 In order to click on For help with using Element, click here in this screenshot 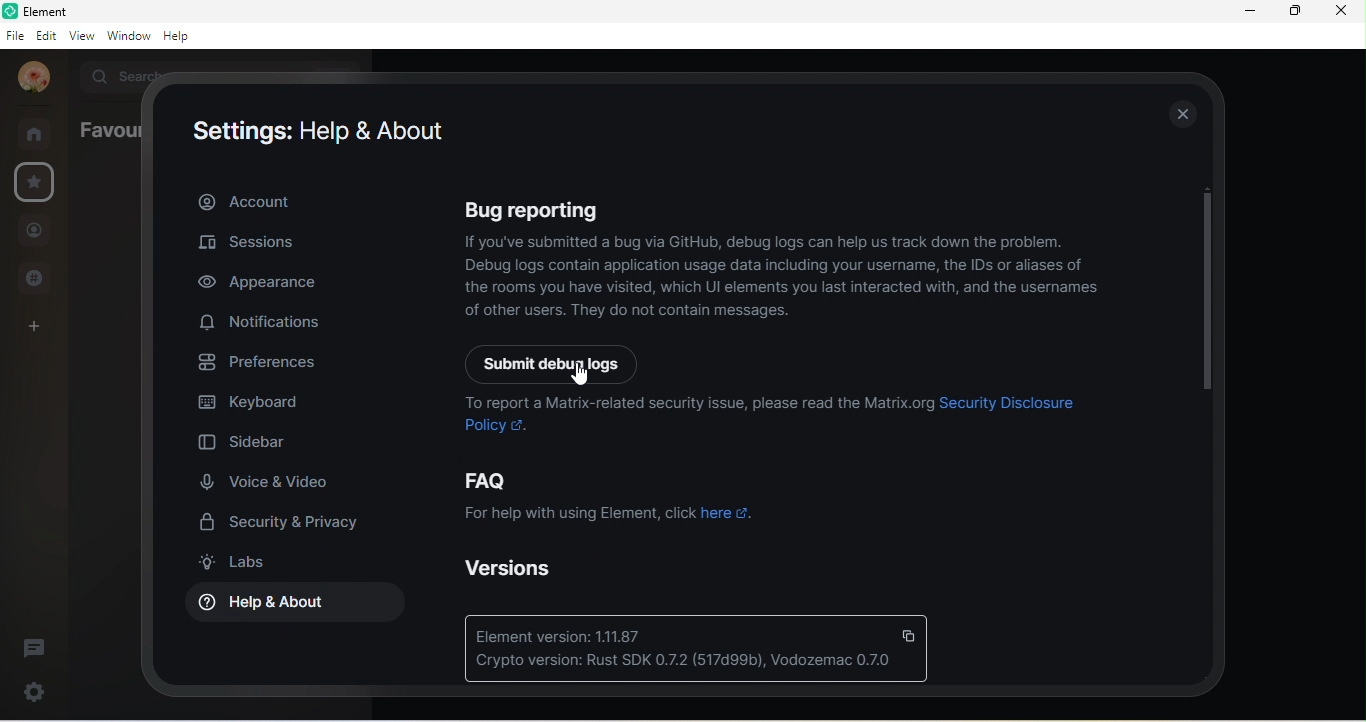, I will do `click(606, 519)`.